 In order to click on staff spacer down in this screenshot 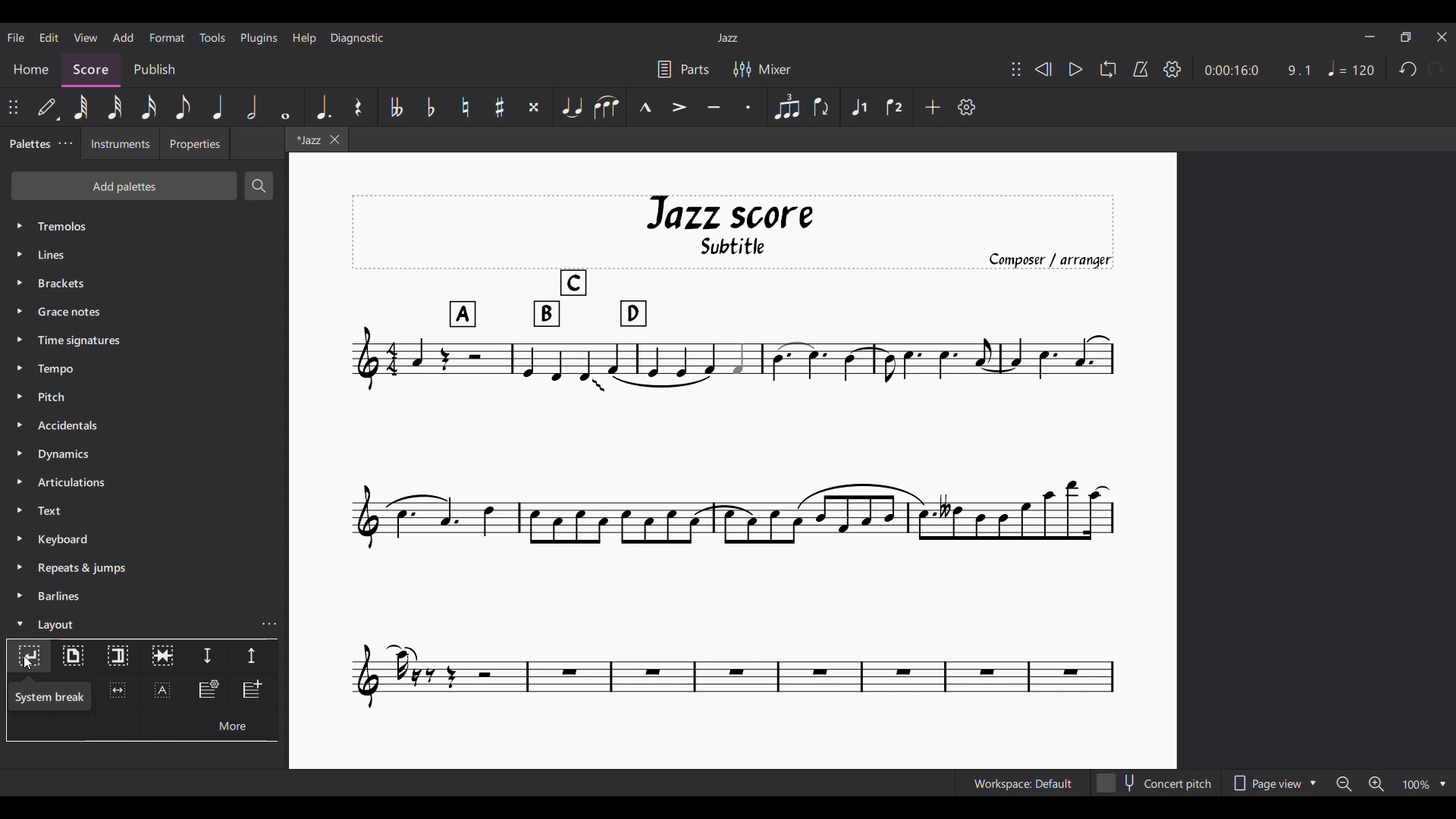, I will do `click(207, 657)`.